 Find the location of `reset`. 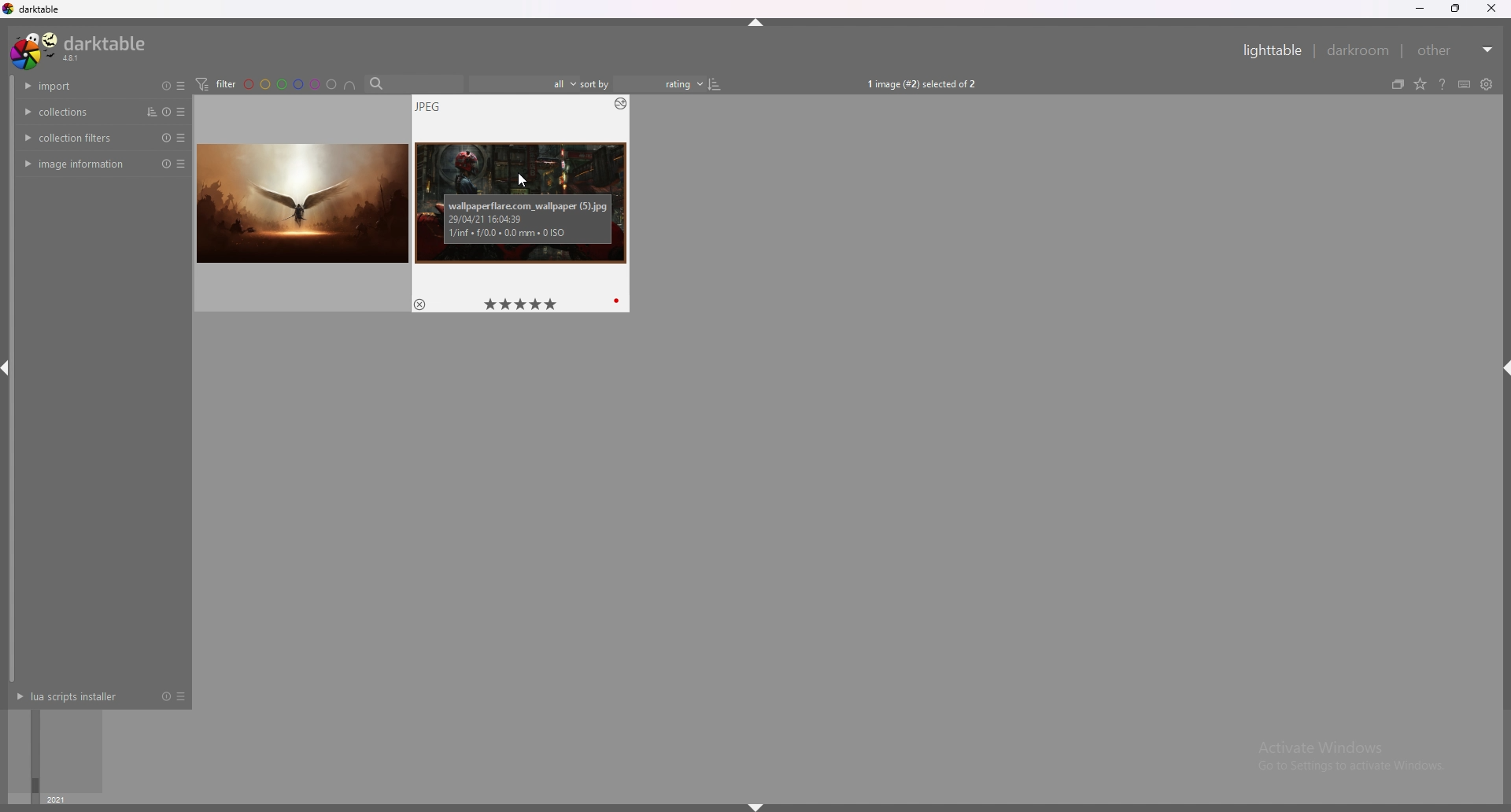

reset is located at coordinates (165, 137).